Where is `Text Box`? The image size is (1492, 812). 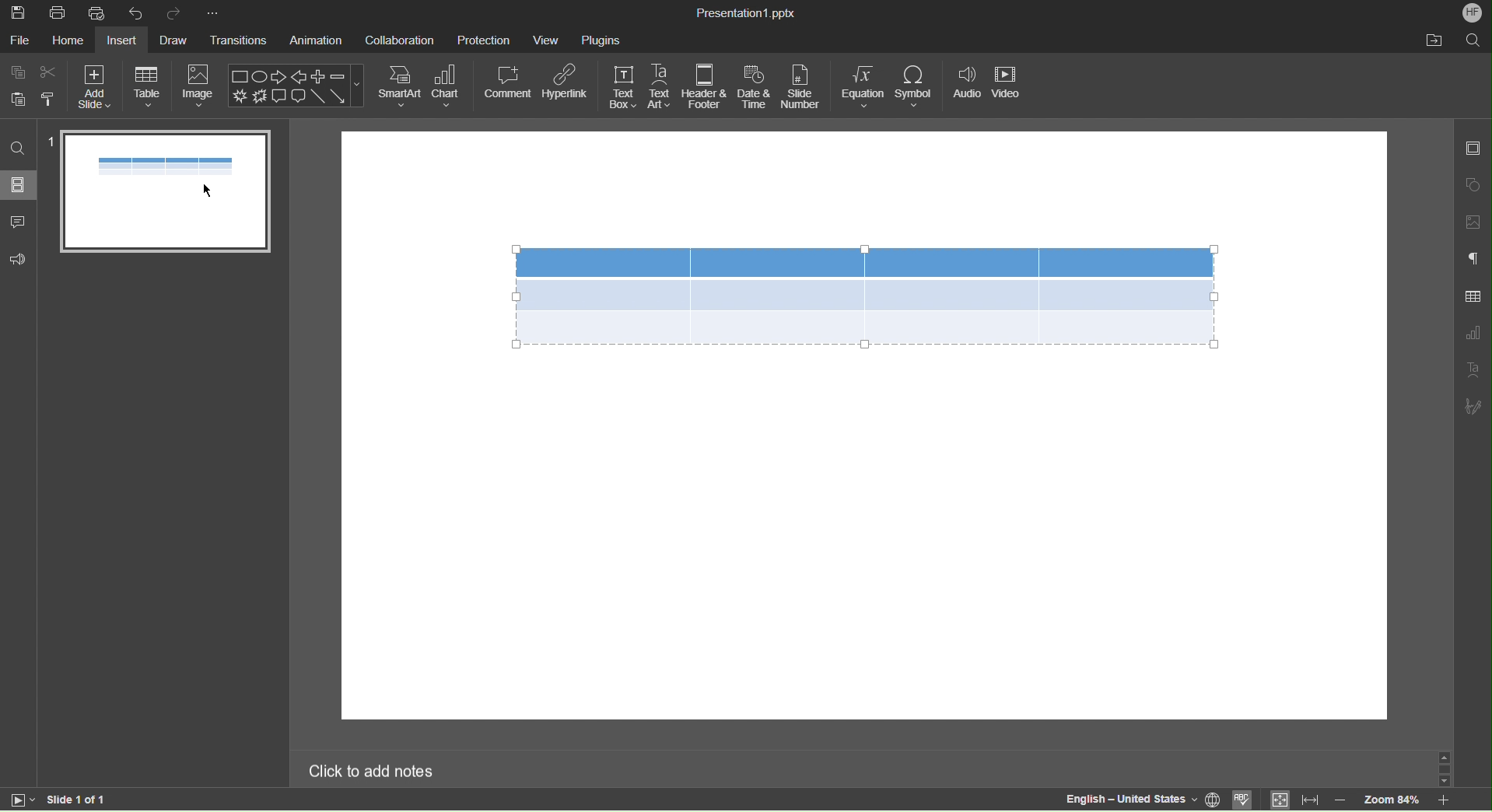 Text Box is located at coordinates (623, 86).